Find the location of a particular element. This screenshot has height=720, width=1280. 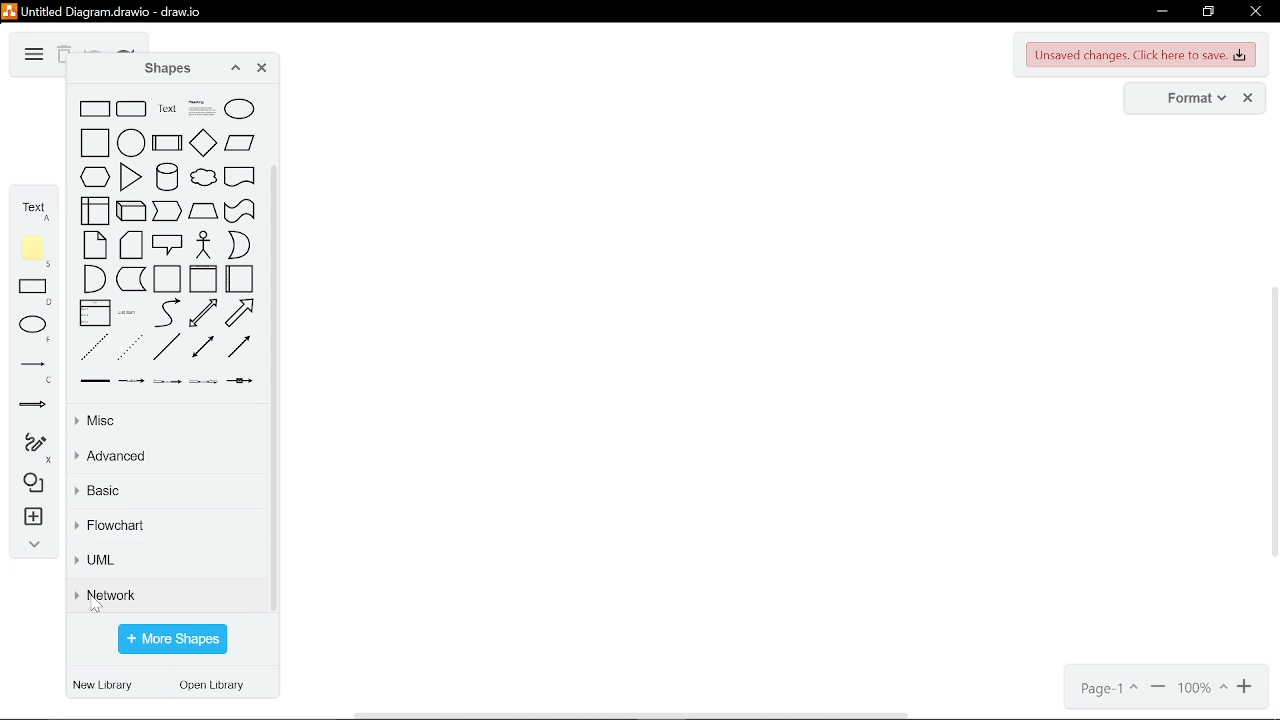

text is located at coordinates (167, 109).